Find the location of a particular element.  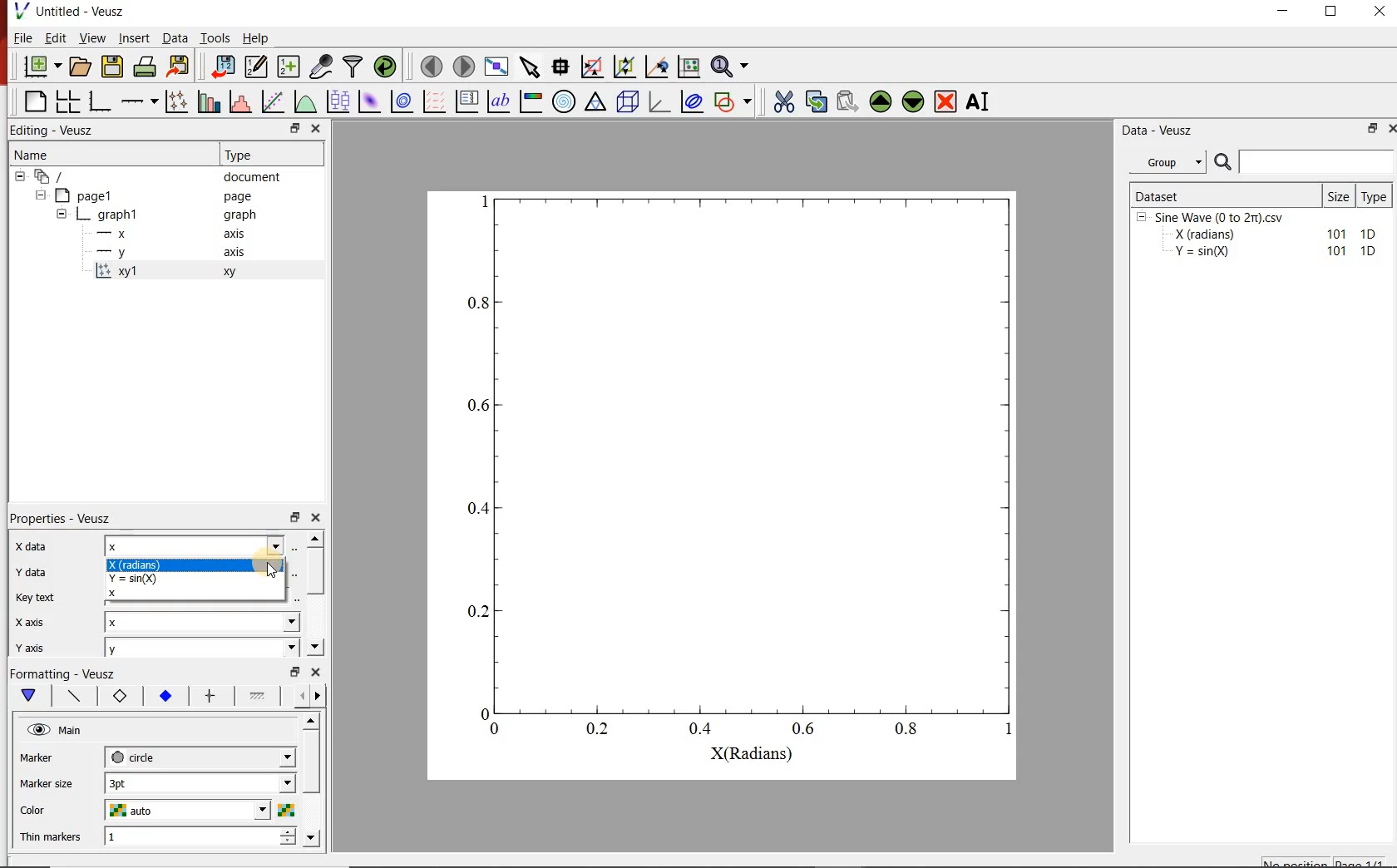

Color is located at coordinates (38, 808).